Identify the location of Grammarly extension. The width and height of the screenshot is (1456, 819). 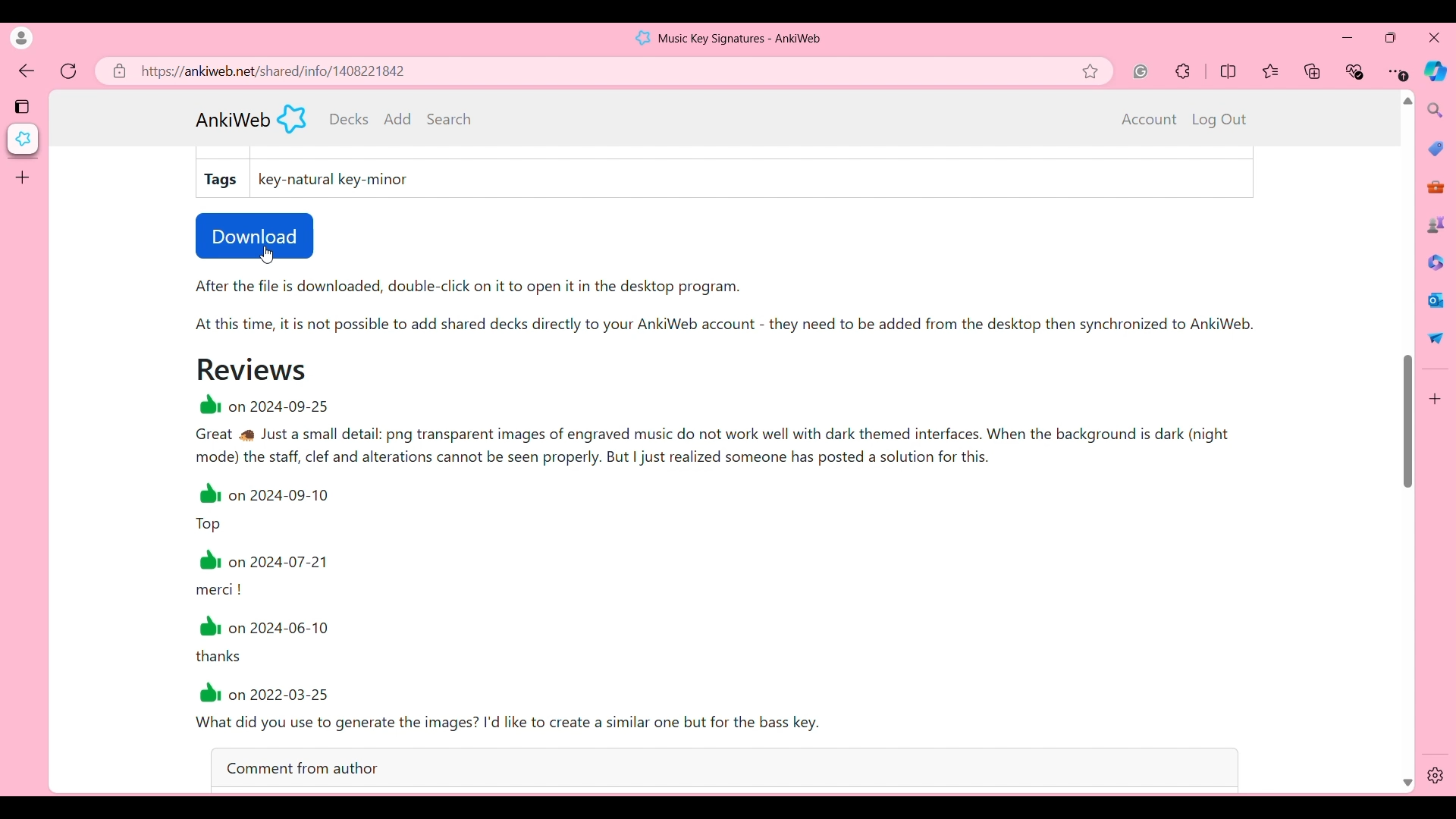
(1141, 71).